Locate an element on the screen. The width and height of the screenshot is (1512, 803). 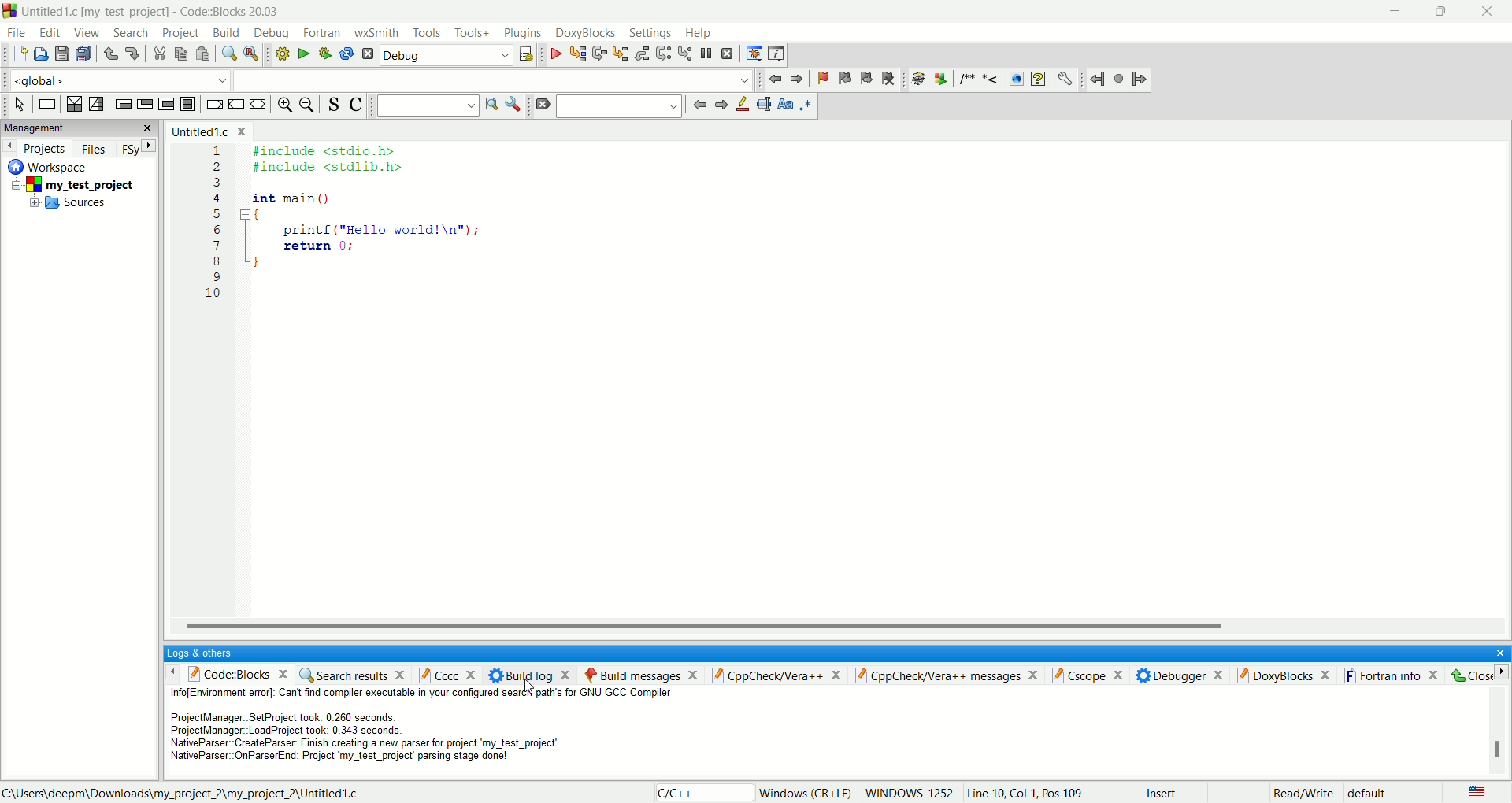
continue instruction is located at coordinates (237, 103).